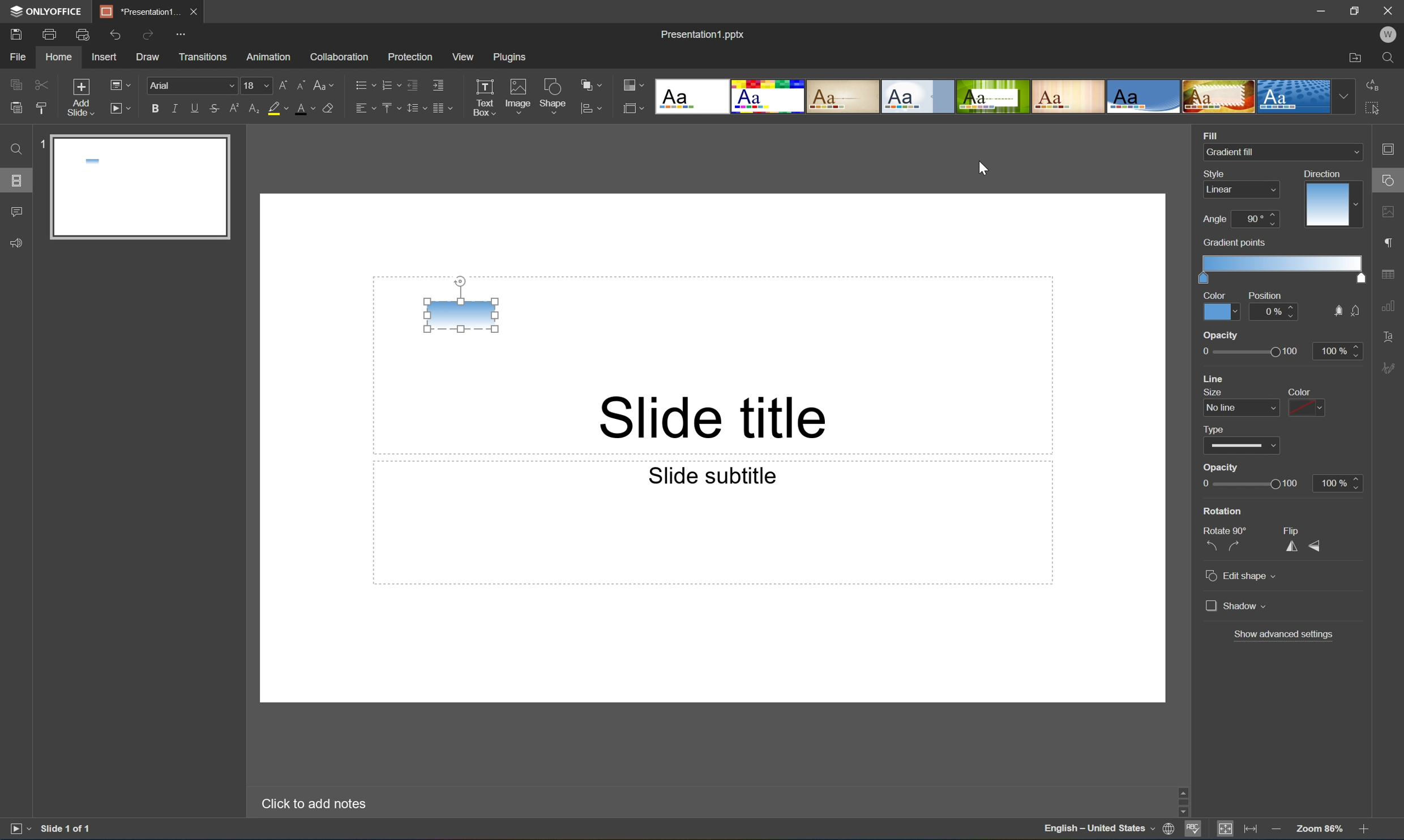 The height and width of the screenshot is (840, 1404). What do you see at coordinates (389, 84) in the screenshot?
I see `Numbering` at bounding box center [389, 84].